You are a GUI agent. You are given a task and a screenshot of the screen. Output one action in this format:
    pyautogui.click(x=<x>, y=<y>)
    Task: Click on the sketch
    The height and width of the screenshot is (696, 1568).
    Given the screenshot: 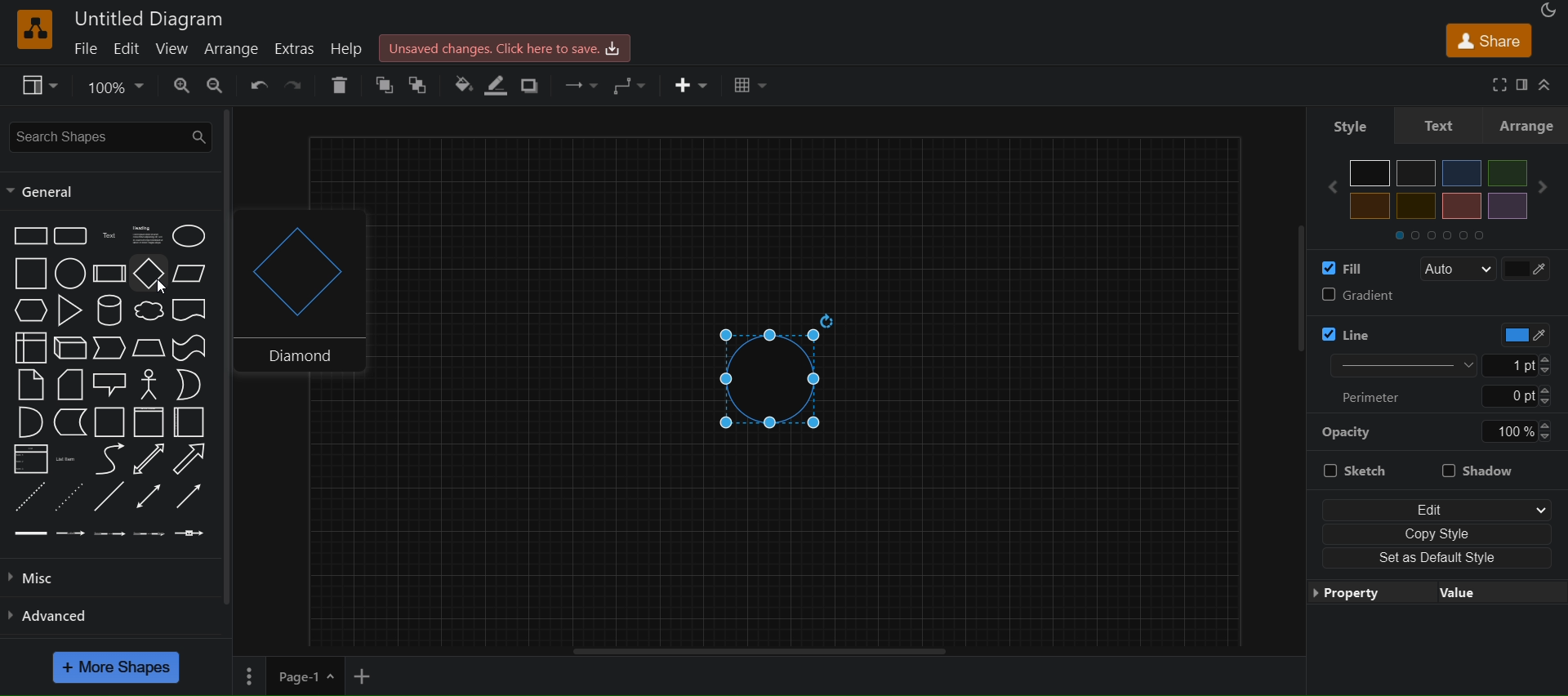 What is the action you would take?
    pyautogui.click(x=1367, y=472)
    